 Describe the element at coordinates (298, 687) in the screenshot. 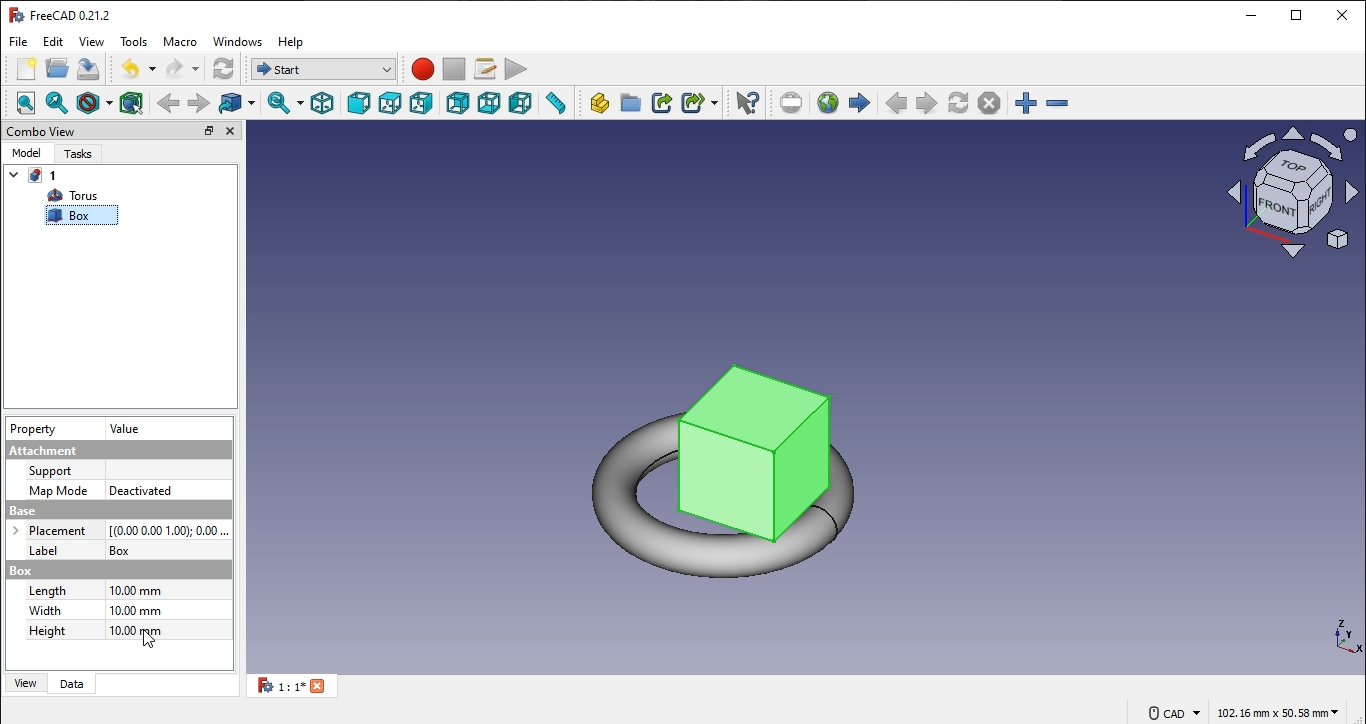

I see `1` at that location.